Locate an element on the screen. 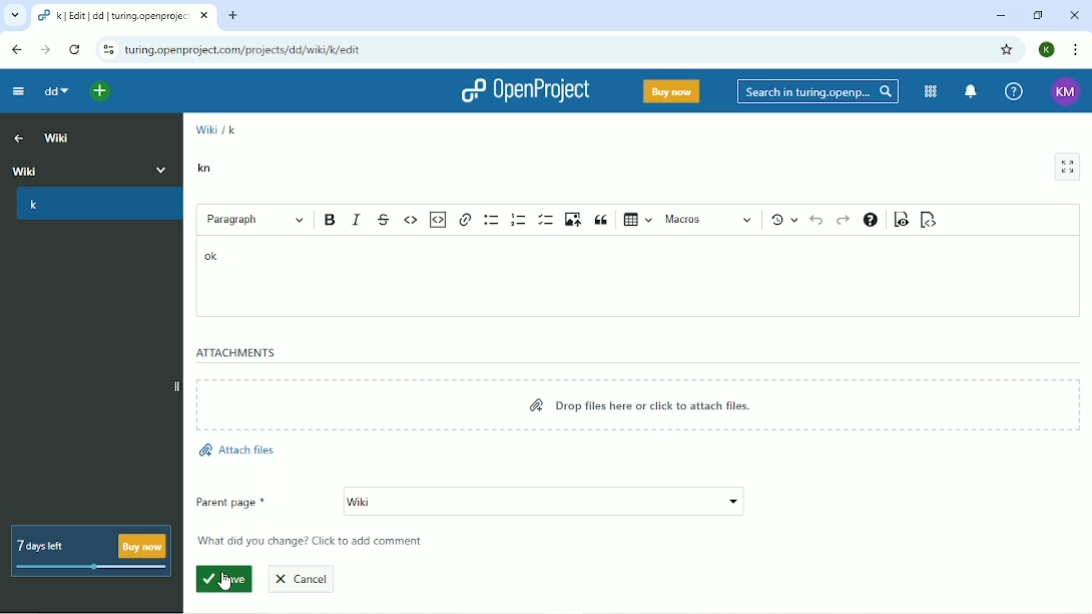 Image resolution: width=1092 pixels, height=614 pixels. Up is located at coordinates (19, 139).